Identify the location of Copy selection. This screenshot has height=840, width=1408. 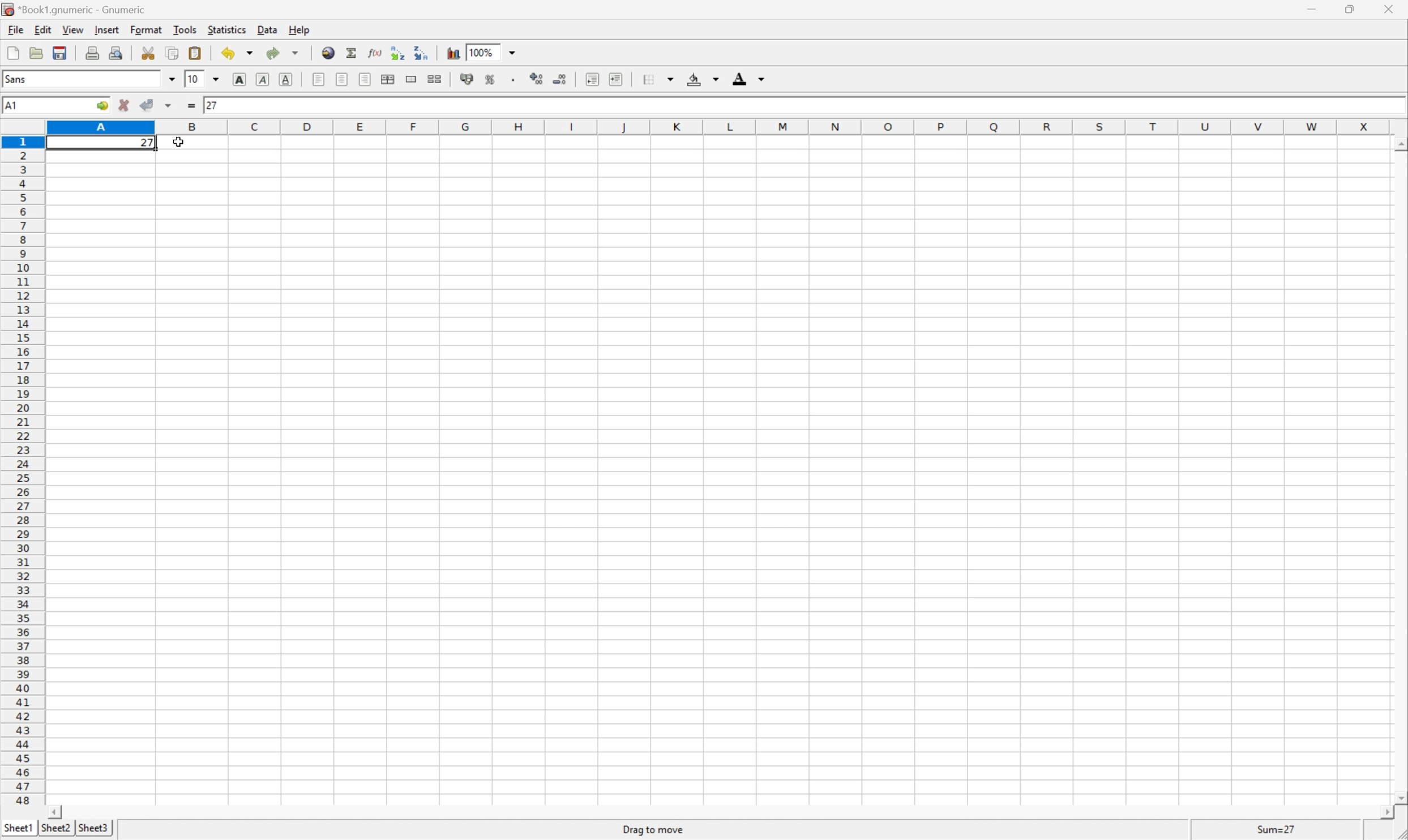
(173, 53).